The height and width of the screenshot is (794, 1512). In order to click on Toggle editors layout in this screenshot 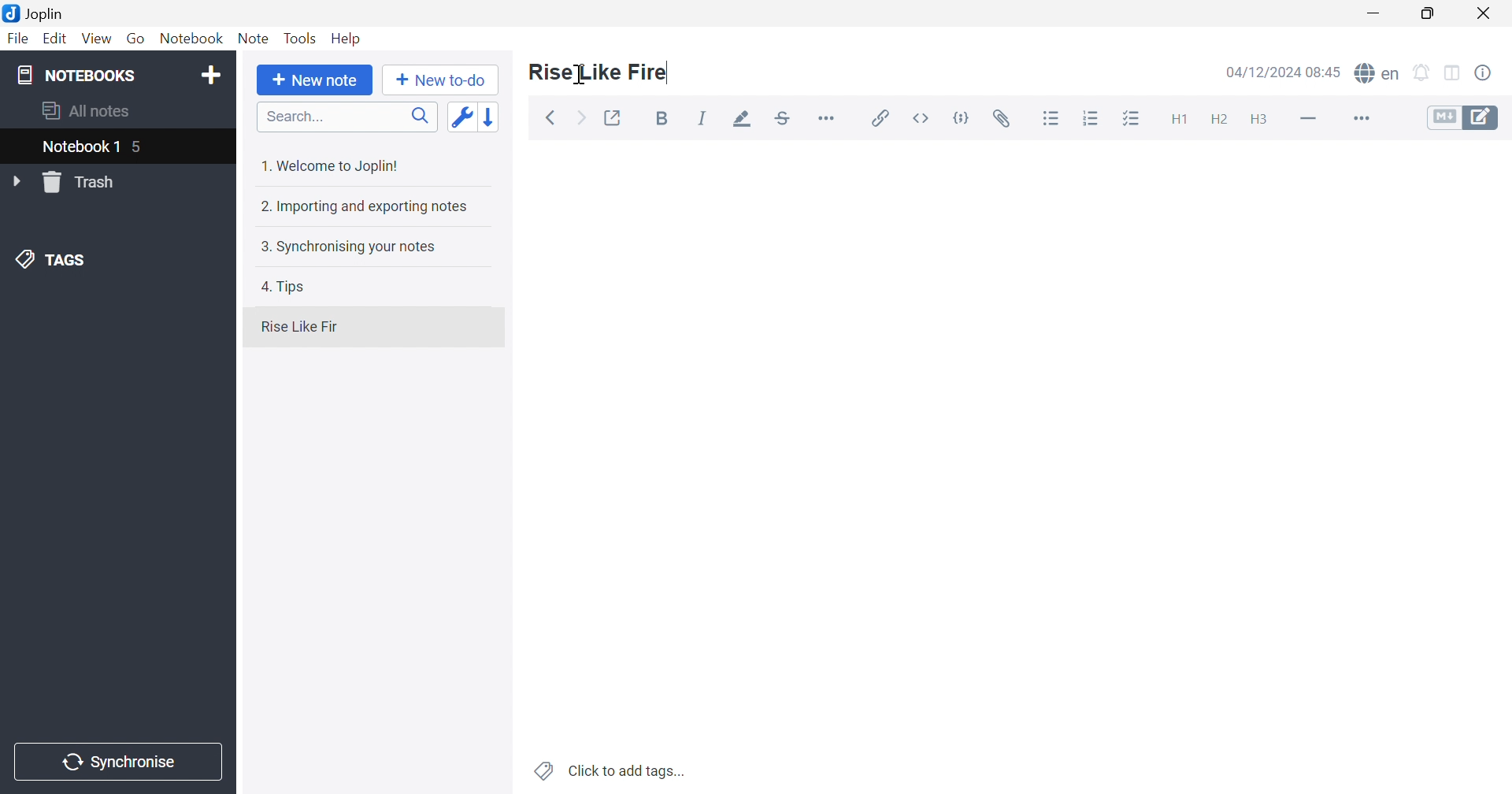, I will do `click(1452, 74)`.